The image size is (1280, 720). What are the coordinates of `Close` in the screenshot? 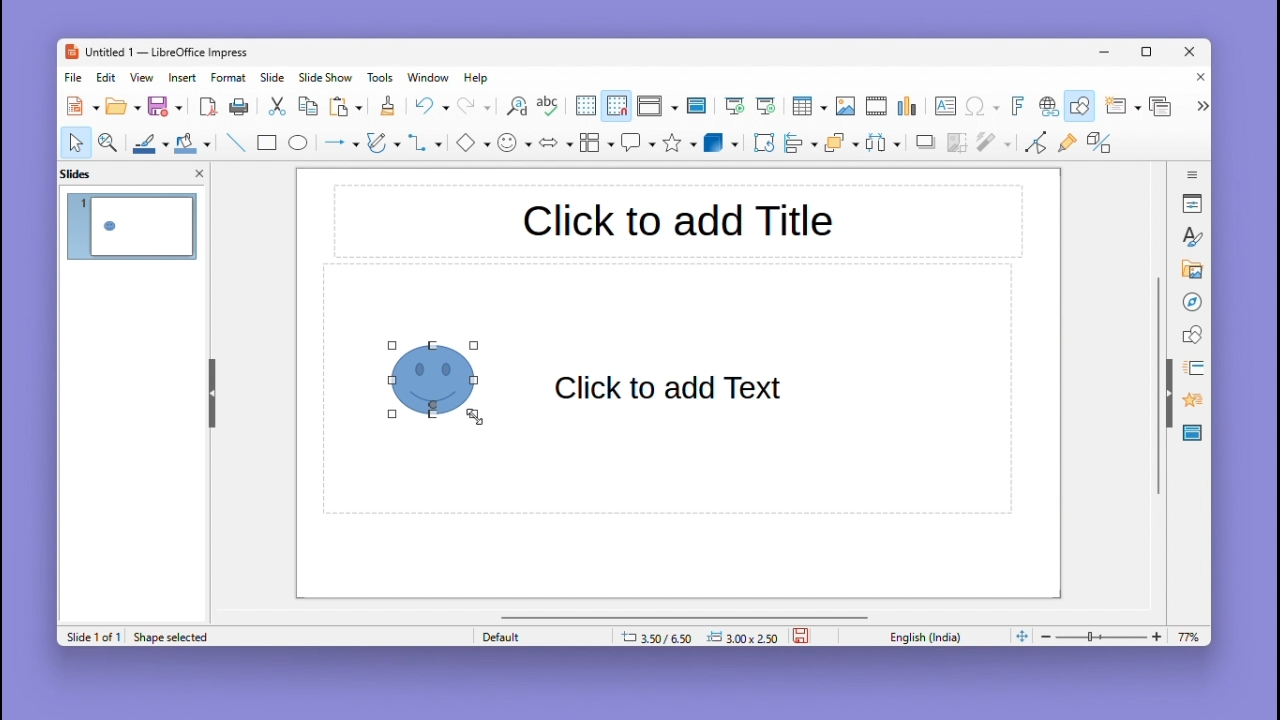 It's located at (1196, 79).